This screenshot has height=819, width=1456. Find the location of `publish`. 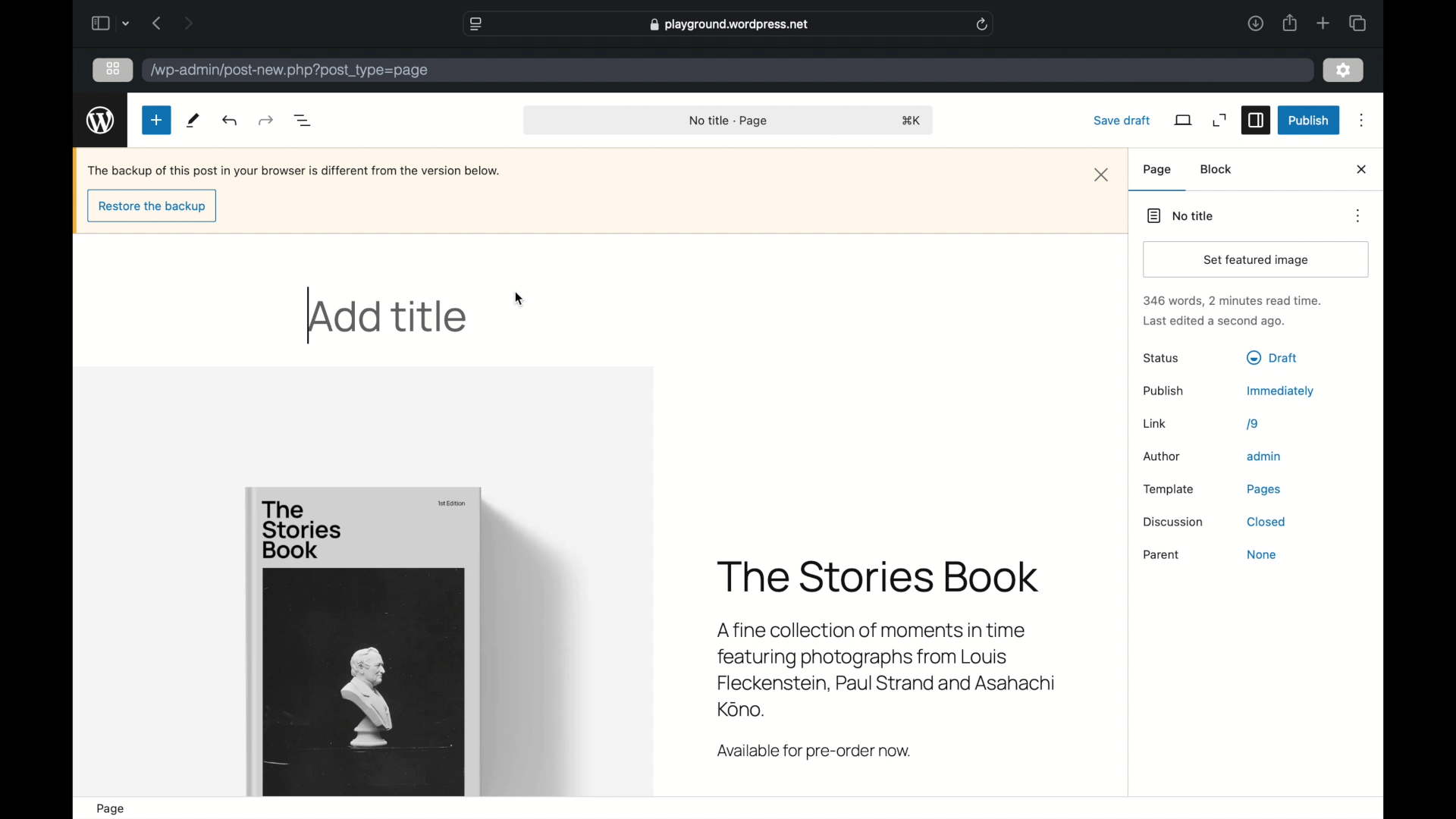

publish is located at coordinates (1310, 121).